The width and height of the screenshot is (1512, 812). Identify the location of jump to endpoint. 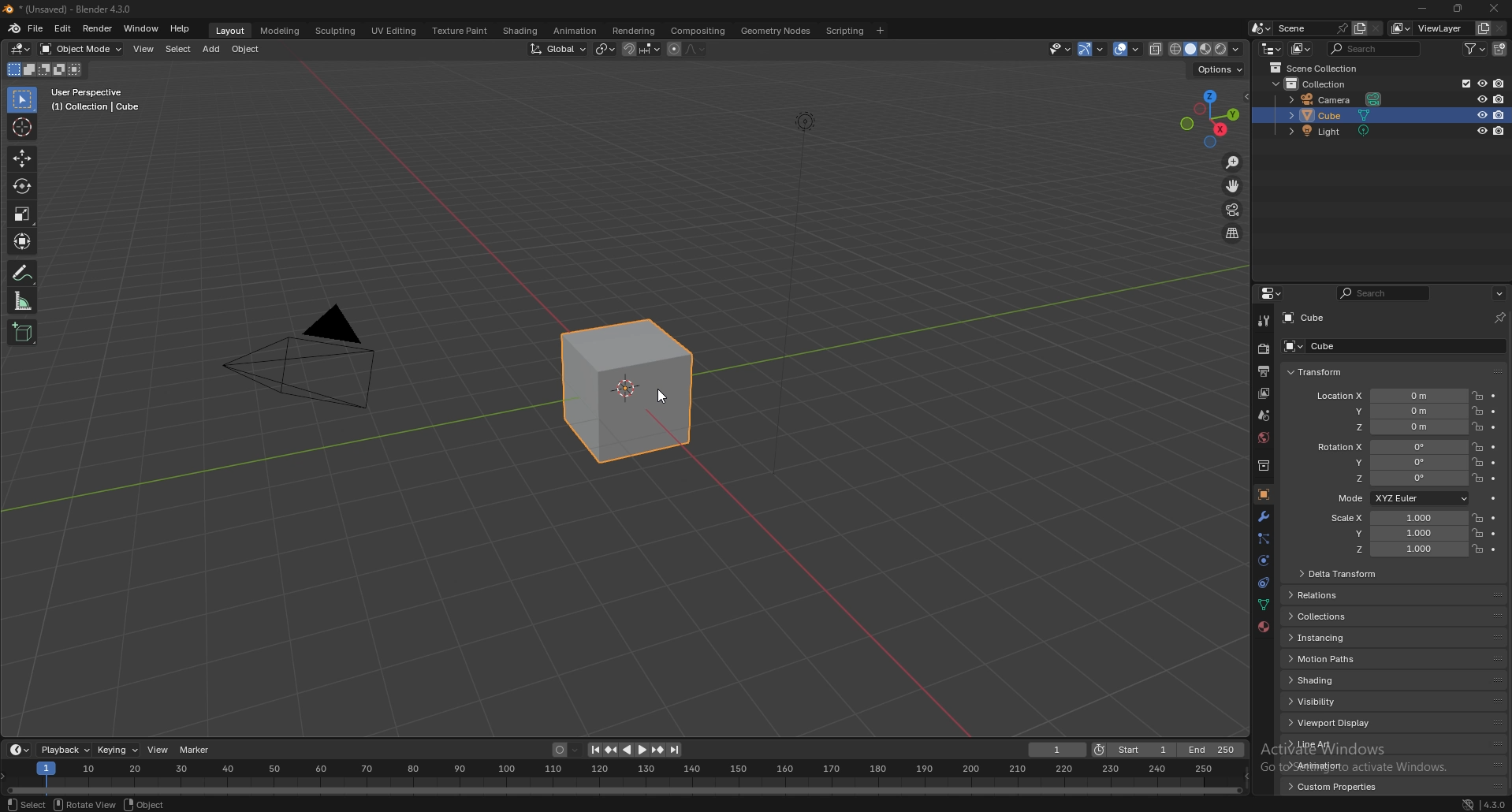
(594, 751).